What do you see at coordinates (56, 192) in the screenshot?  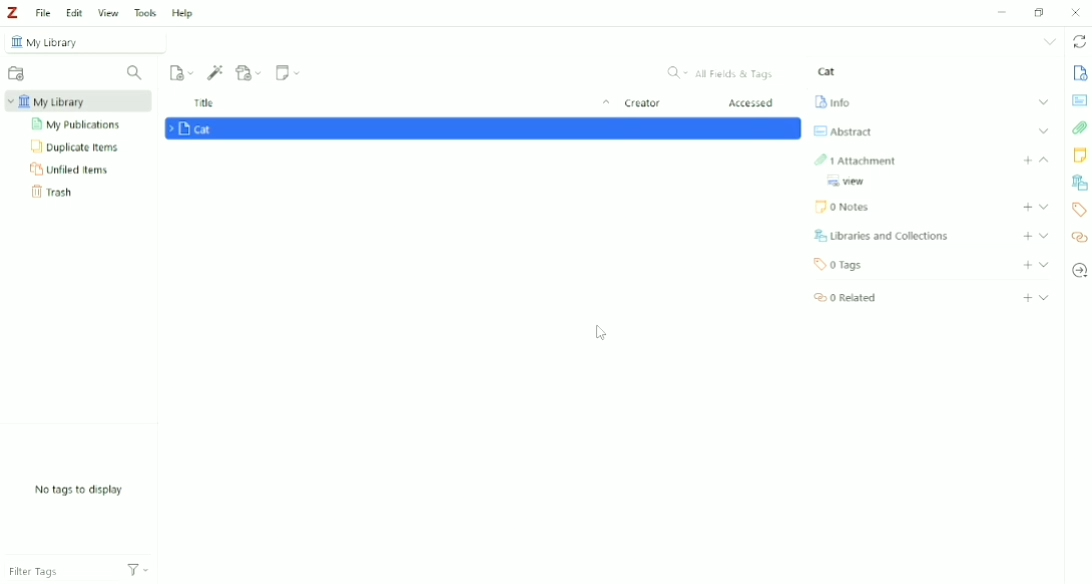 I see `Trash` at bounding box center [56, 192].